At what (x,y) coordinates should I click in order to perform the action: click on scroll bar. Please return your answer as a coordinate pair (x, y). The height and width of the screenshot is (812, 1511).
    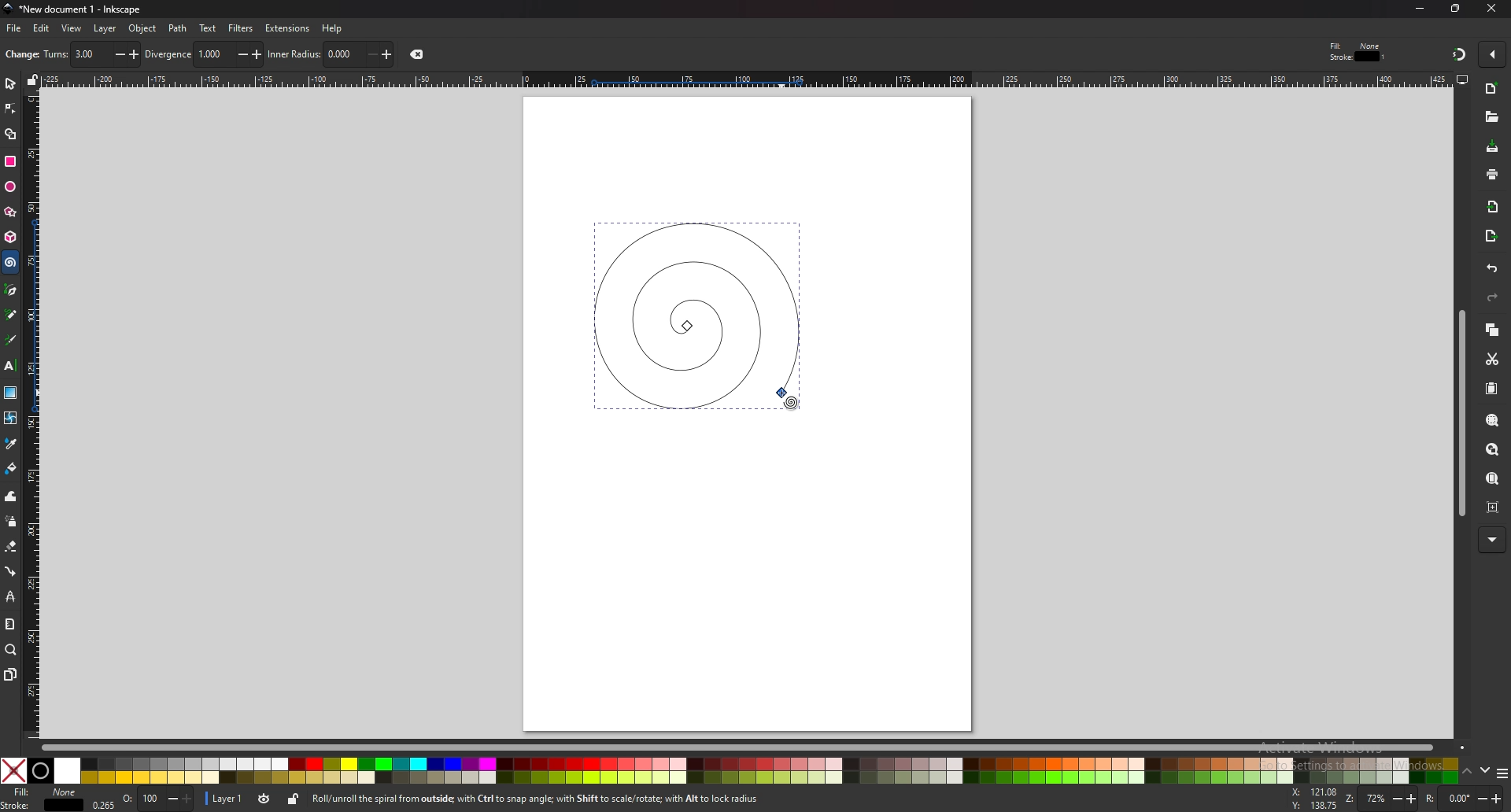
    Looking at the image, I should click on (752, 747).